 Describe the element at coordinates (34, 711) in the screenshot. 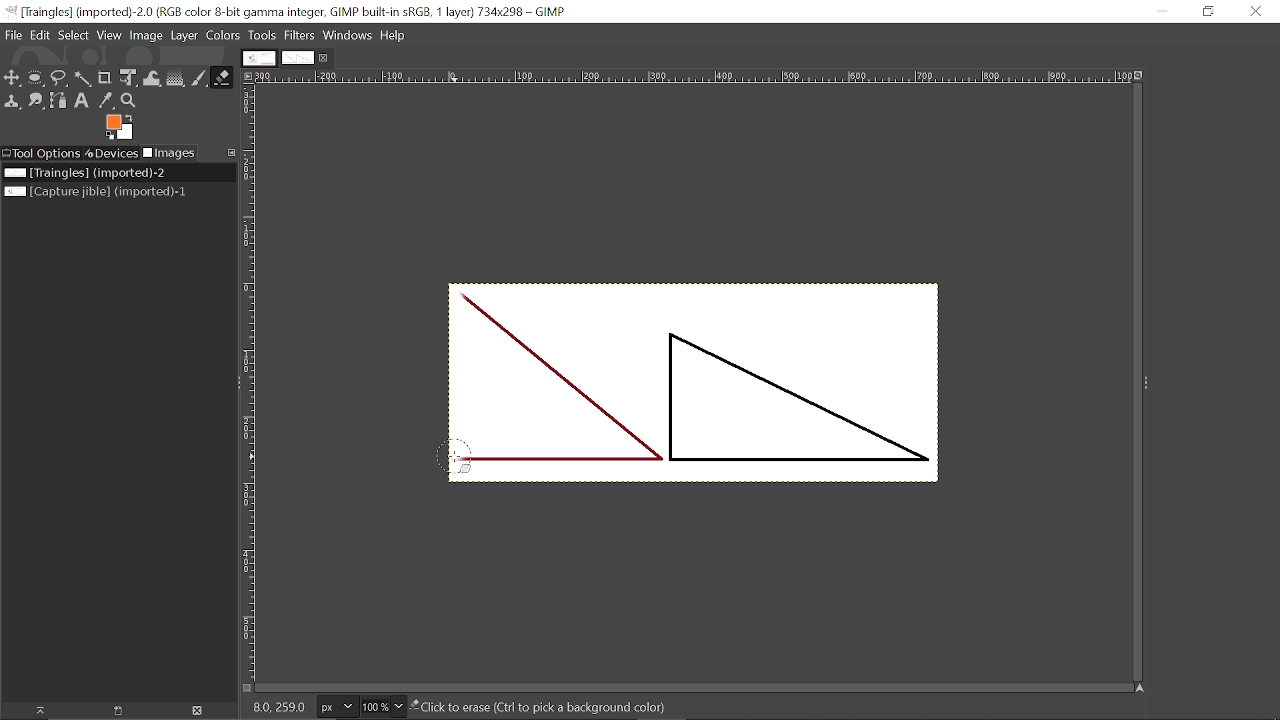

I see `Raise this image display` at that location.